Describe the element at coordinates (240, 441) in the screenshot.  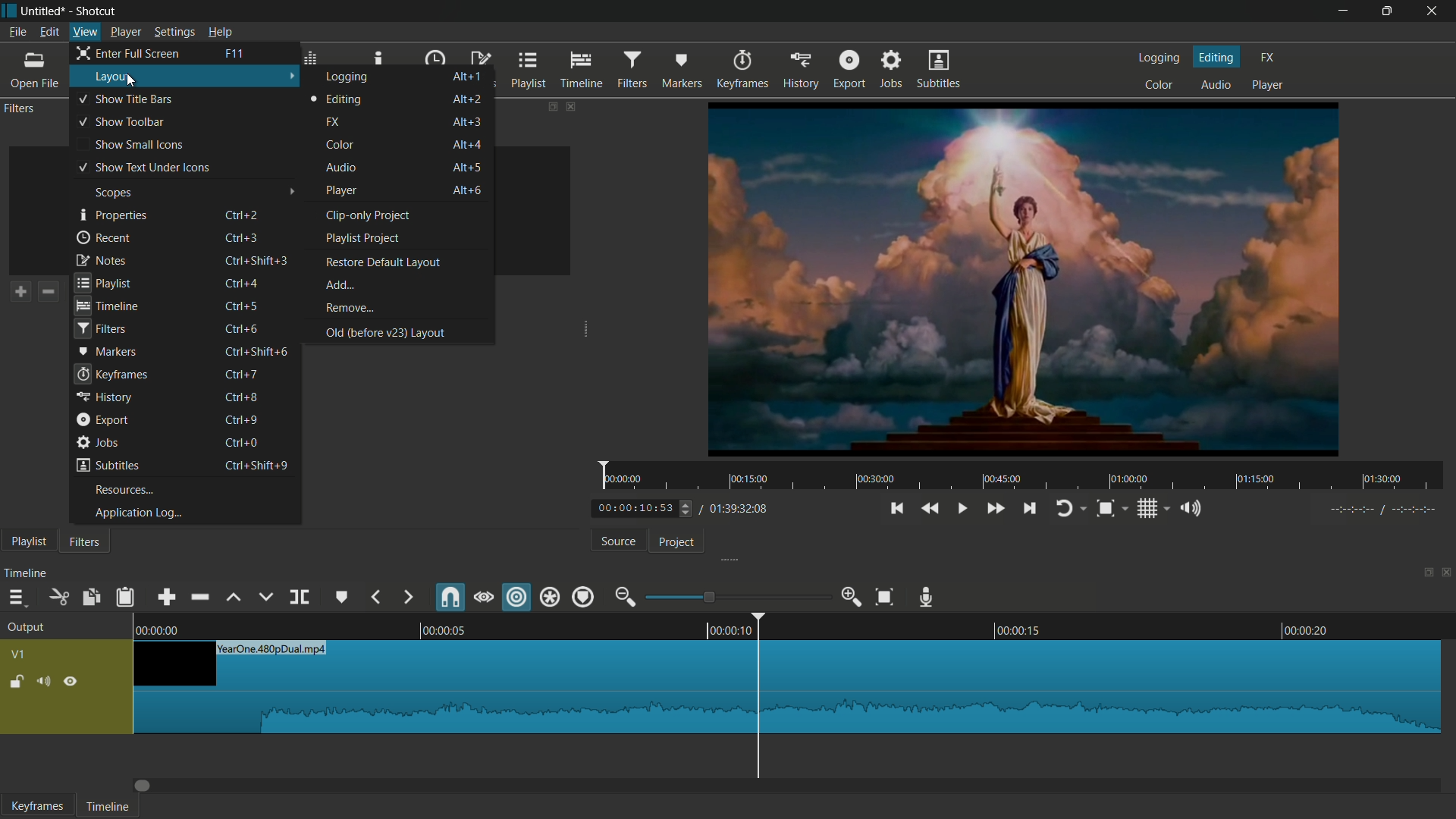
I see `keyboard shortcut` at that location.